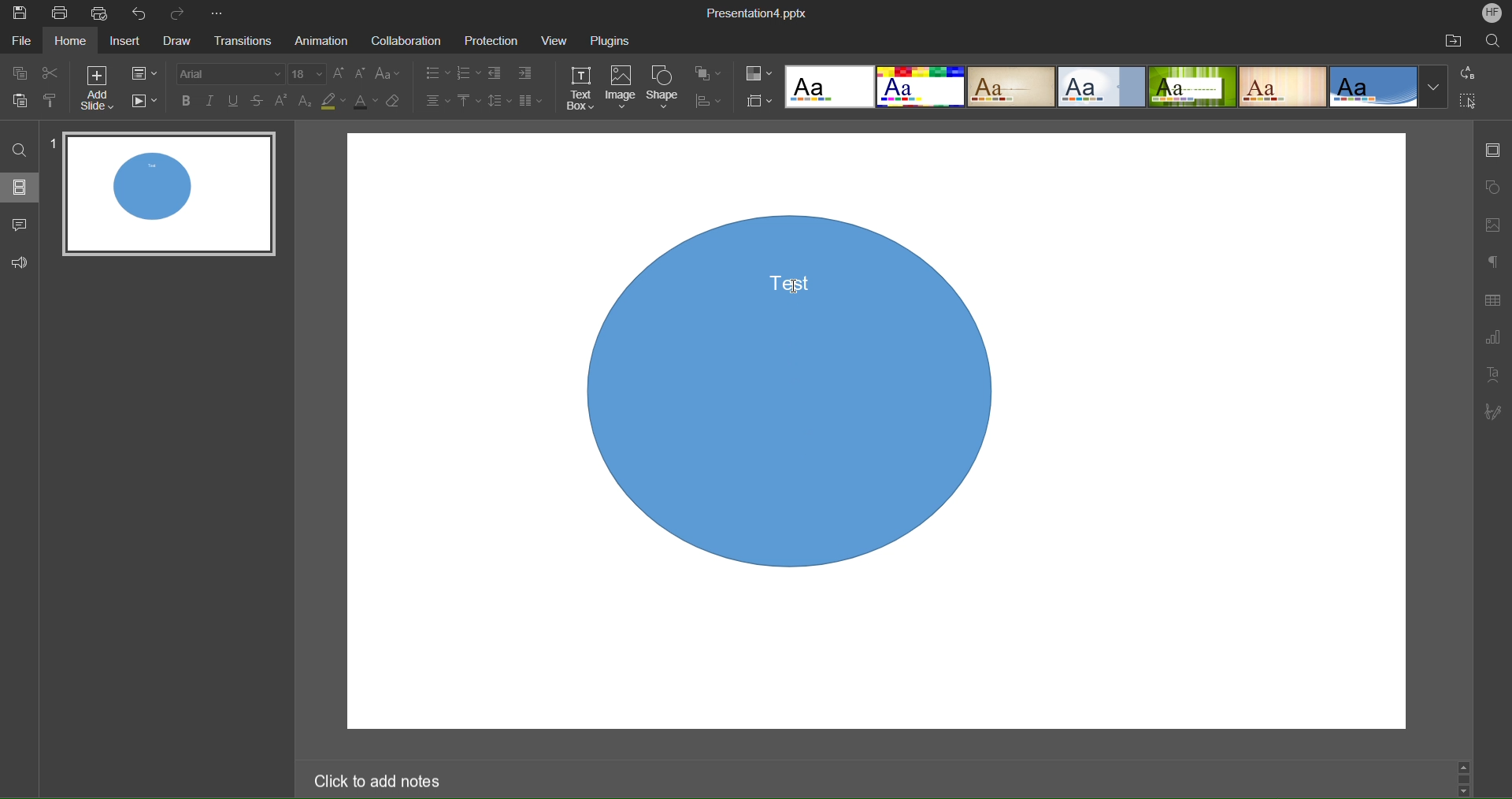 The image size is (1512, 799). What do you see at coordinates (1494, 375) in the screenshot?
I see `Text Art` at bounding box center [1494, 375].